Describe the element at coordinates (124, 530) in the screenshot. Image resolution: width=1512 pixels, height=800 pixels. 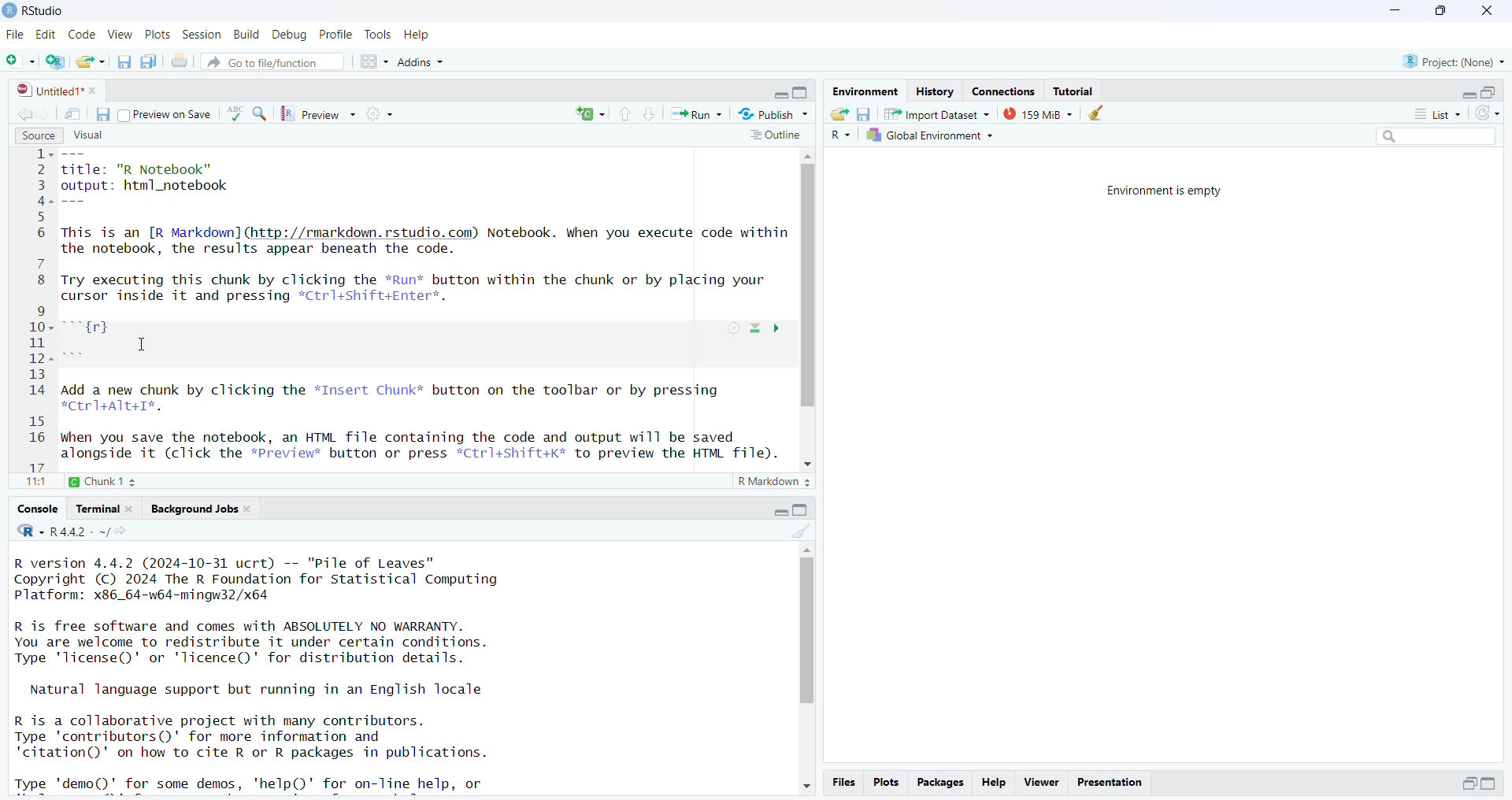
I see `view the current working directory` at that location.